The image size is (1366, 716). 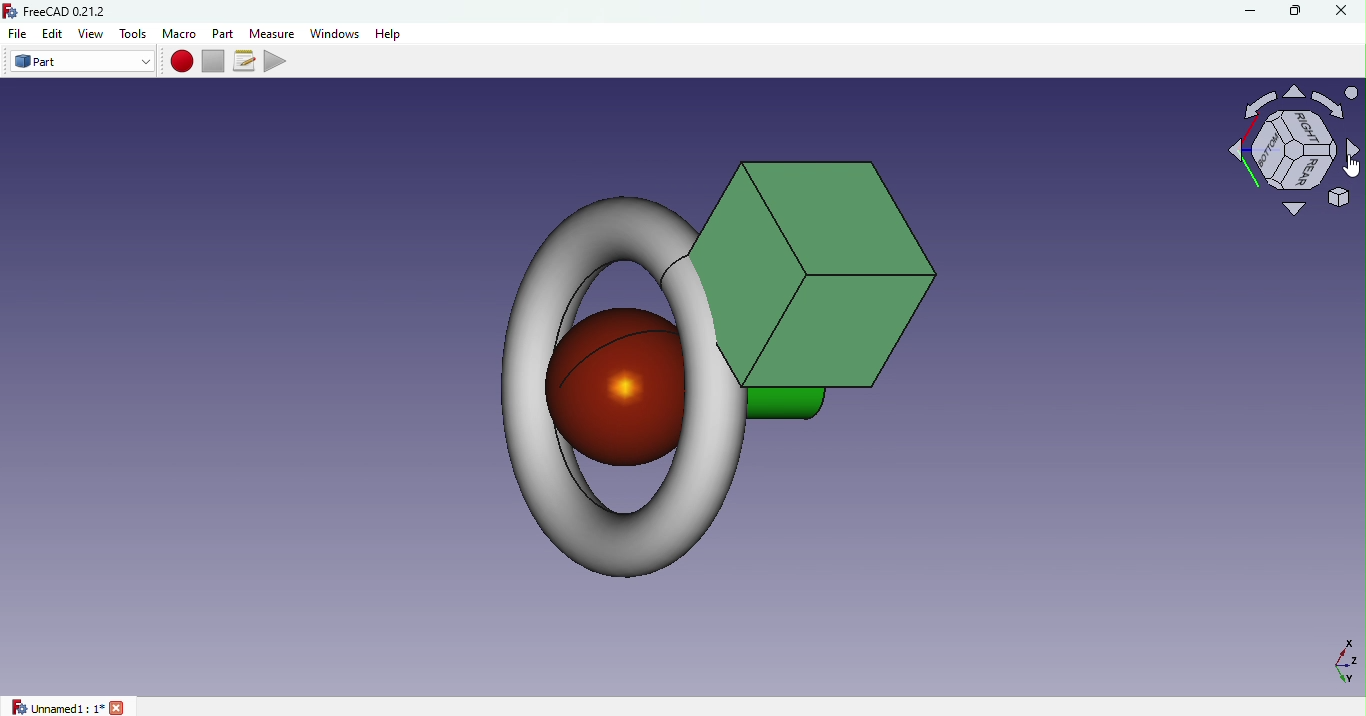 I want to click on Dimension axis, so click(x=1333, y=660).